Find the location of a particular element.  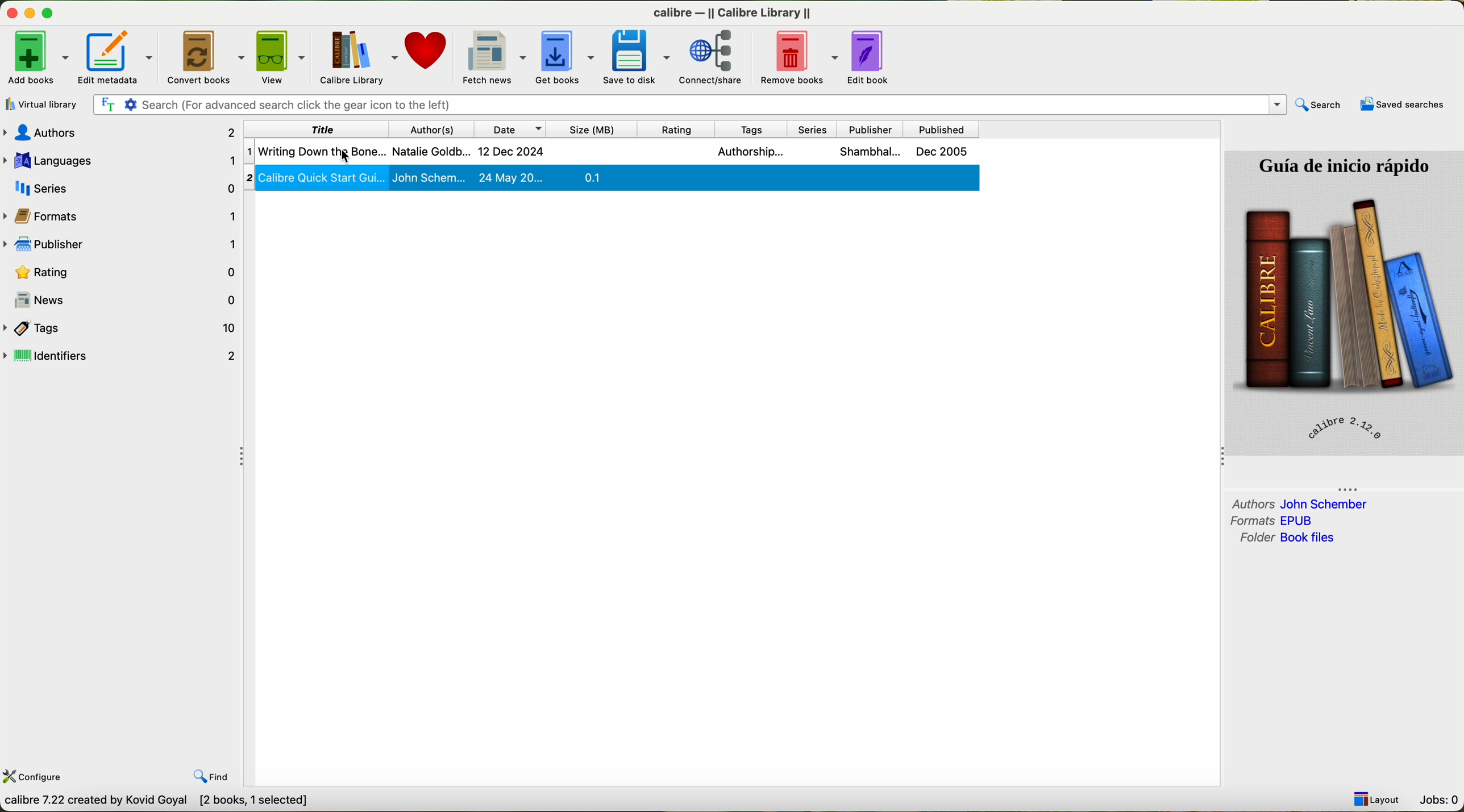

Callibre Quick Start Gu... John Schem ......24 may 20.......0.1 is located at coordinates (610, 180).